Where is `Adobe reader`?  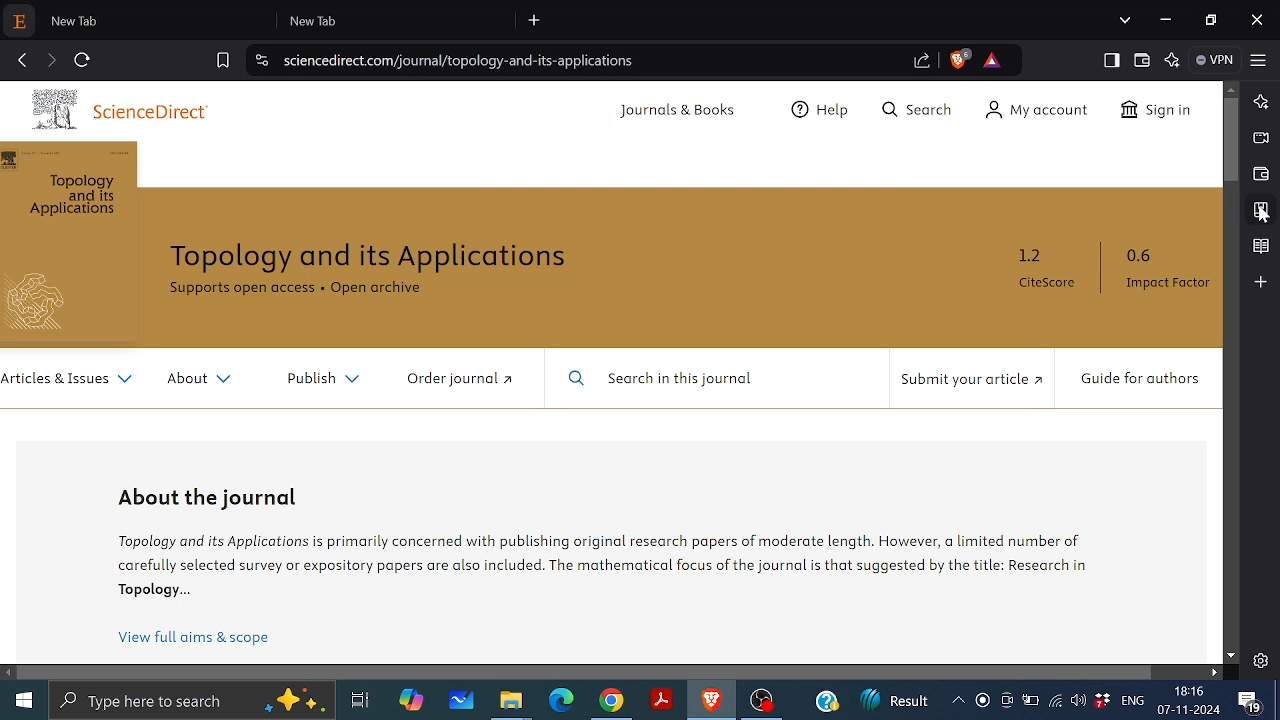
Adobe reader is located at coordinates (662, 697).